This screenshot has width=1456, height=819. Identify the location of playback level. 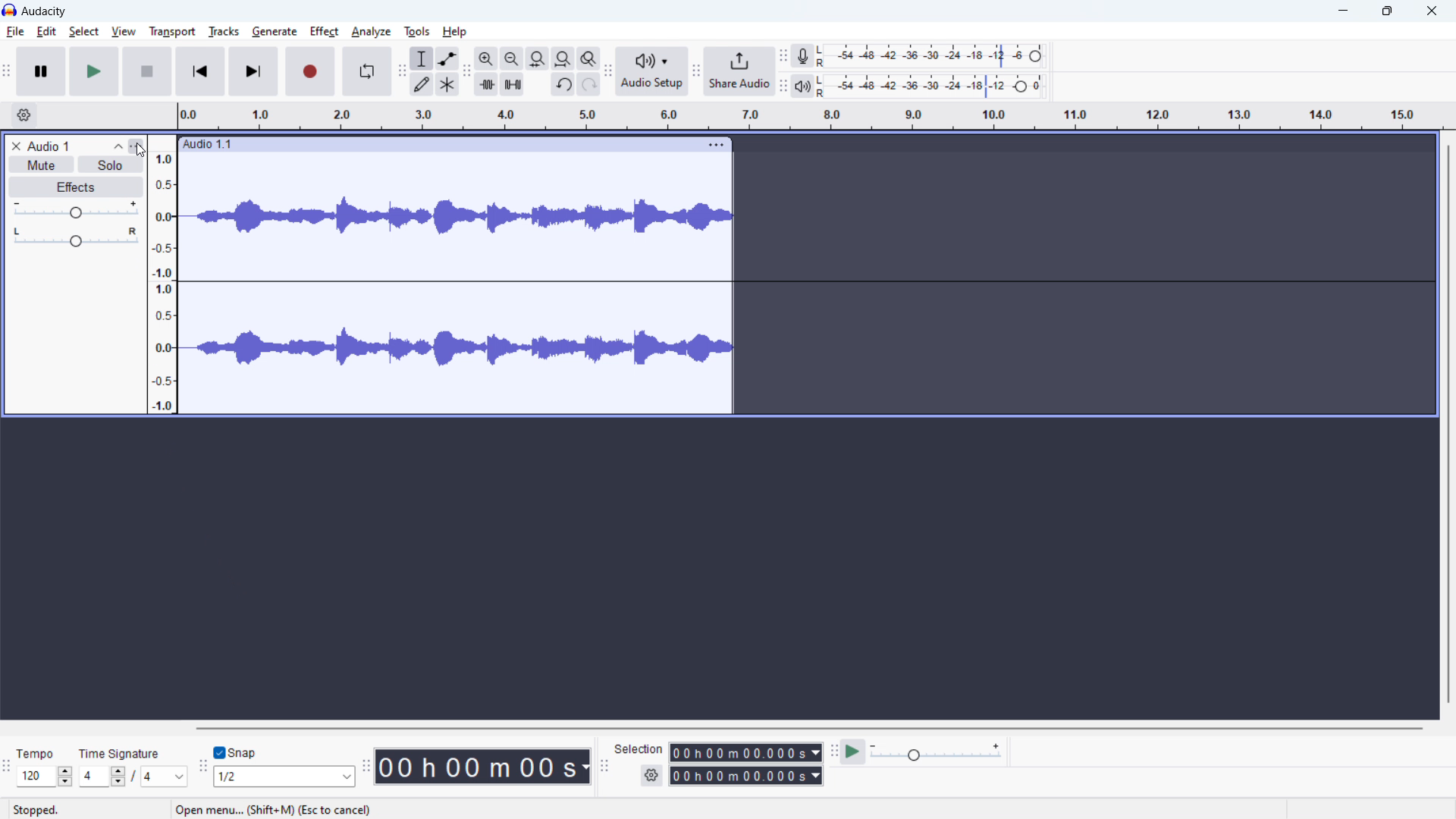
(934, 86).